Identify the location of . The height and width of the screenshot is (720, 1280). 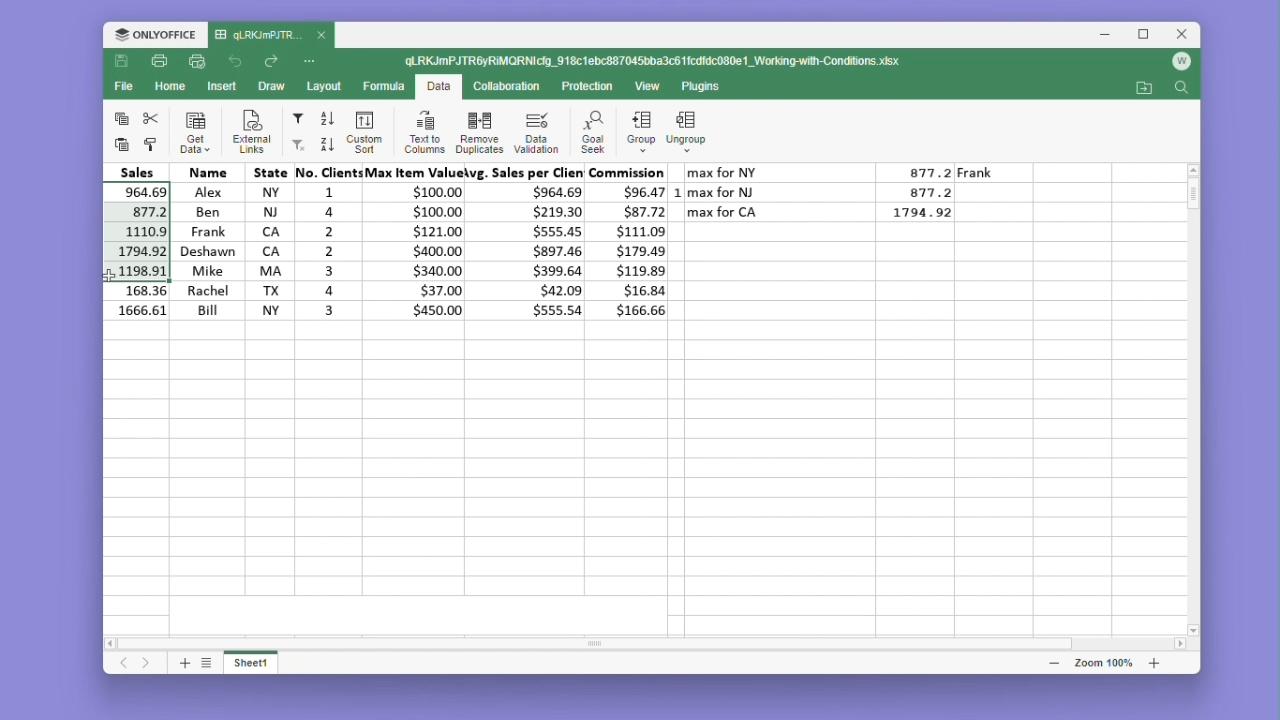
(172, 86).